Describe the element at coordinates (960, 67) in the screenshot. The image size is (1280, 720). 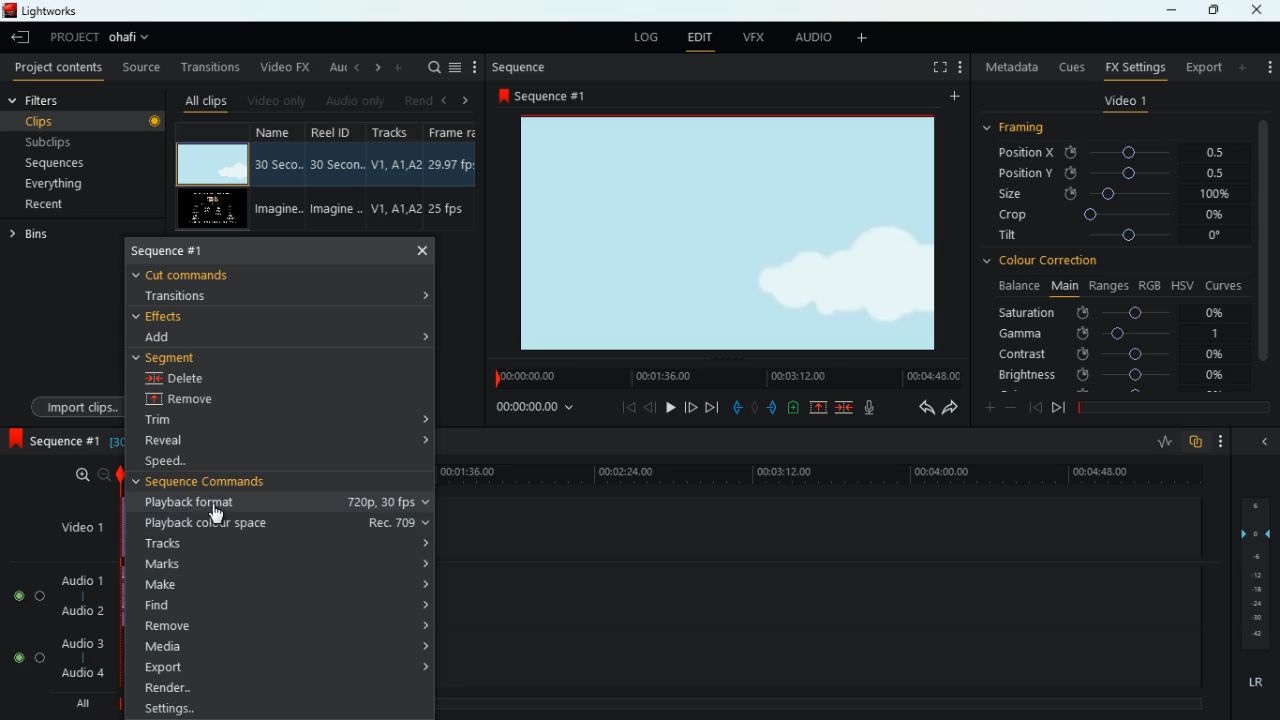
I see `add` at that location.